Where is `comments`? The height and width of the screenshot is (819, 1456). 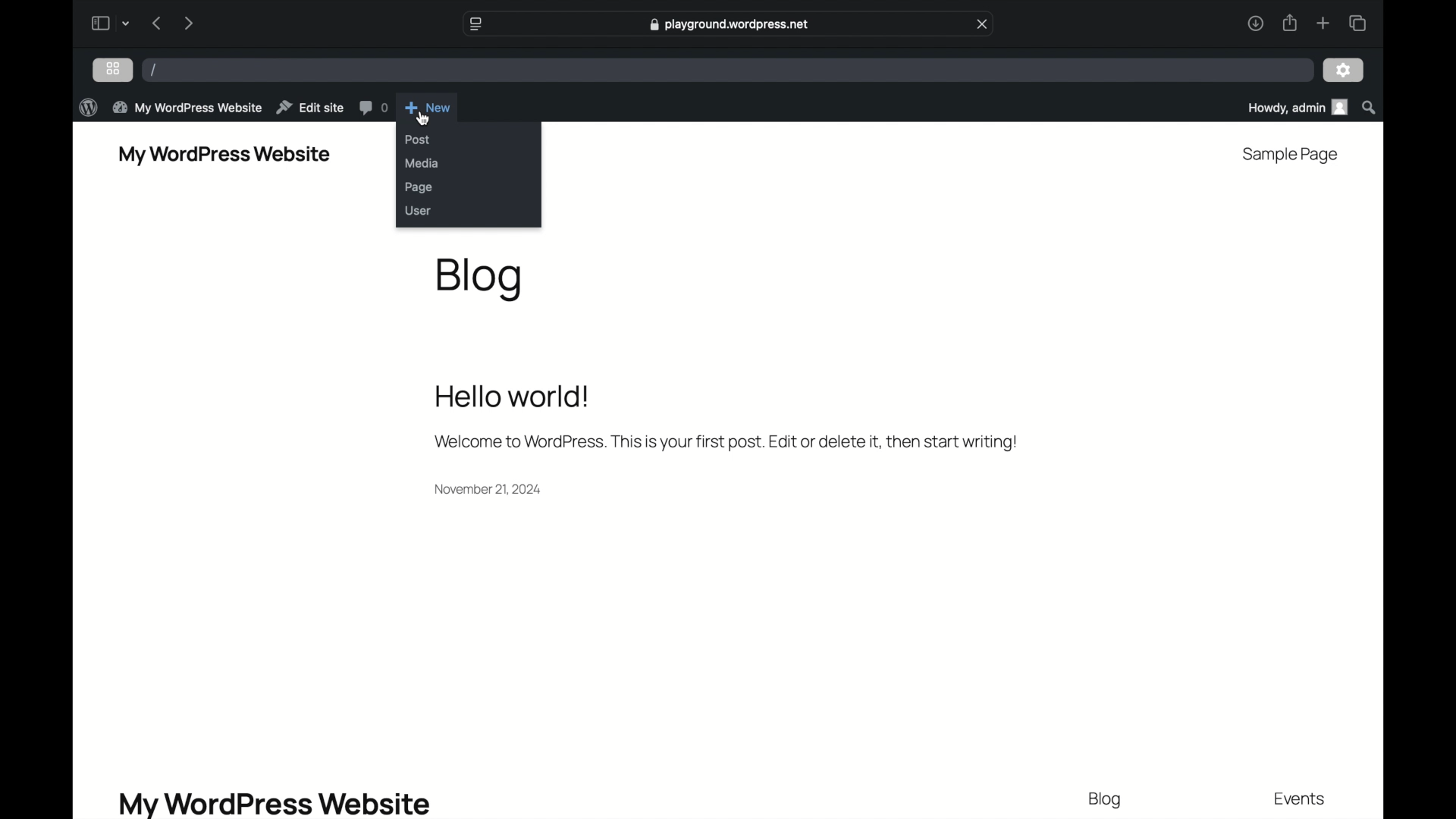 comments is located at coordinates (373, 107).